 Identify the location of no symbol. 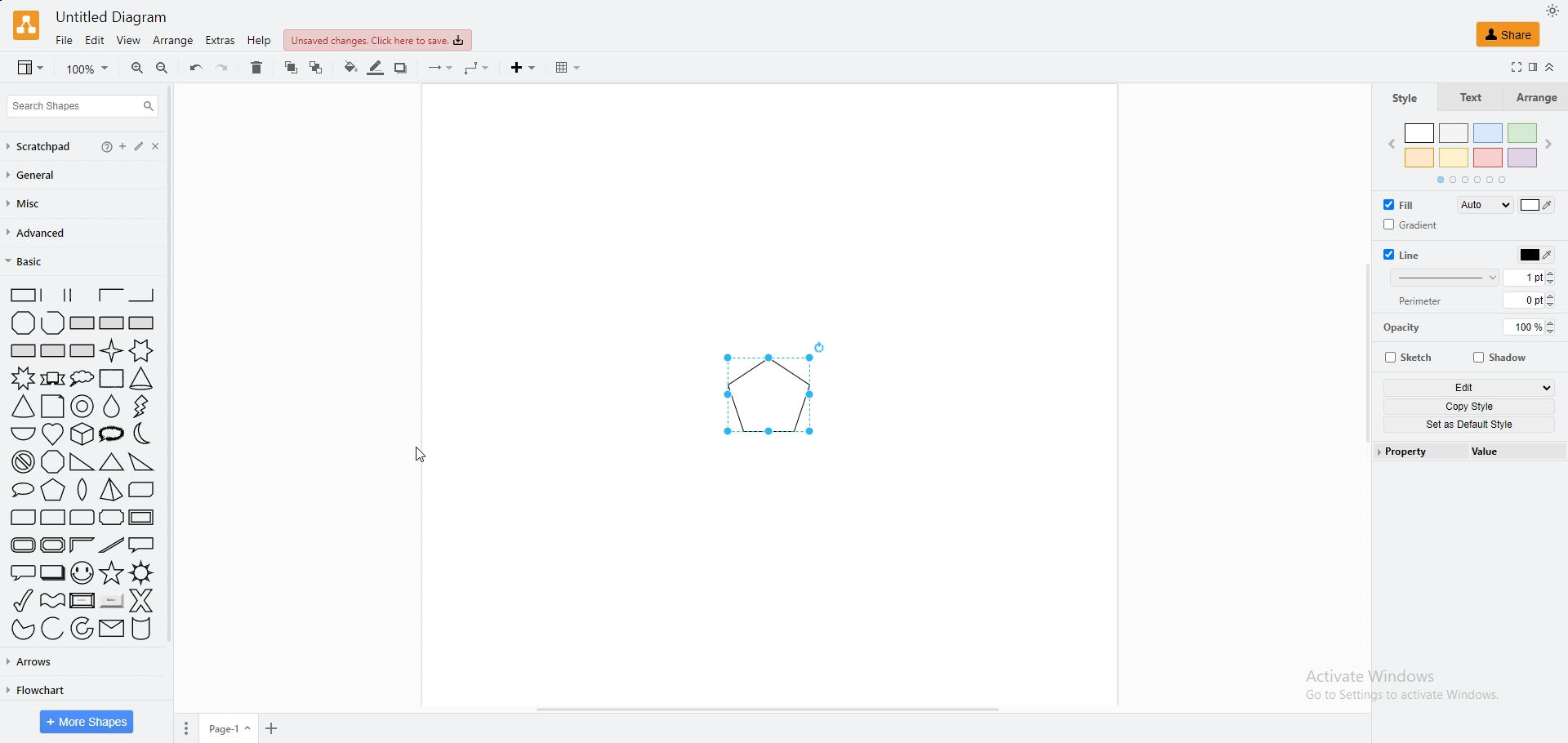
(20, 462).